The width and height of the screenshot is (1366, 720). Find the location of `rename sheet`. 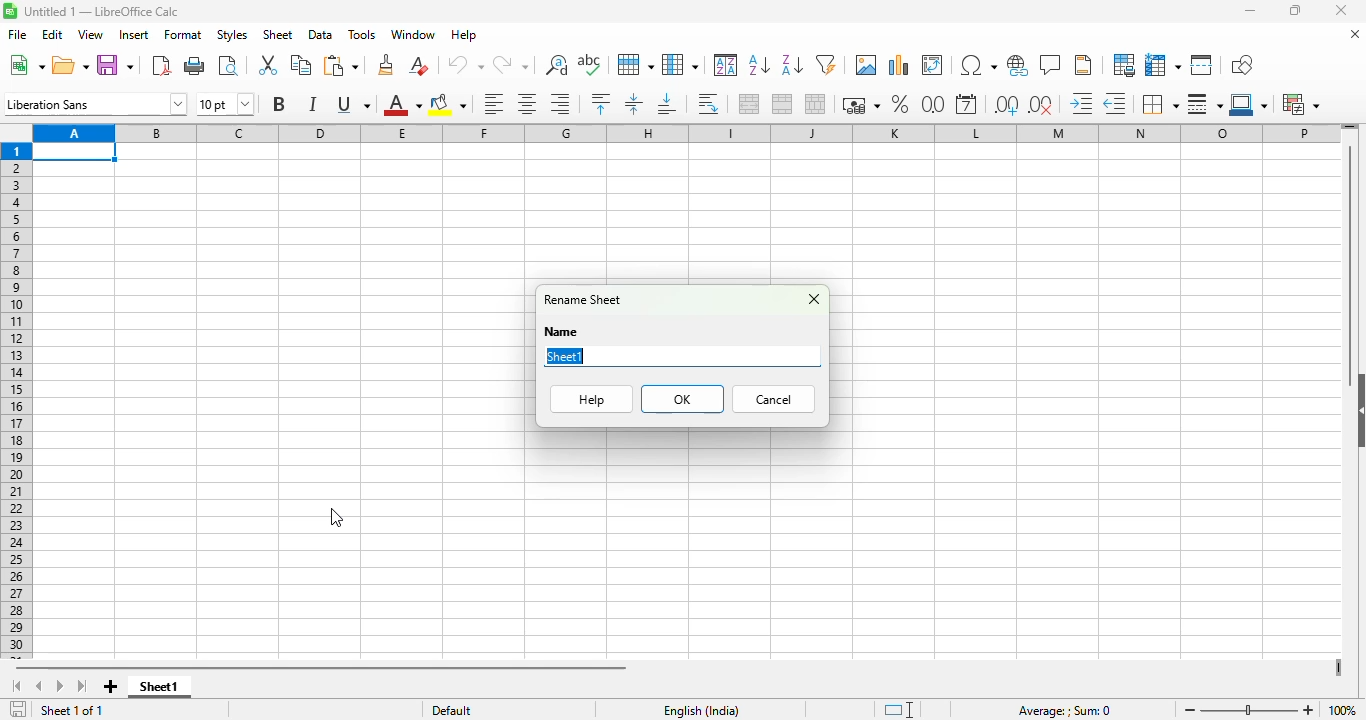

rename sheet is located at coordinates (582, 299).